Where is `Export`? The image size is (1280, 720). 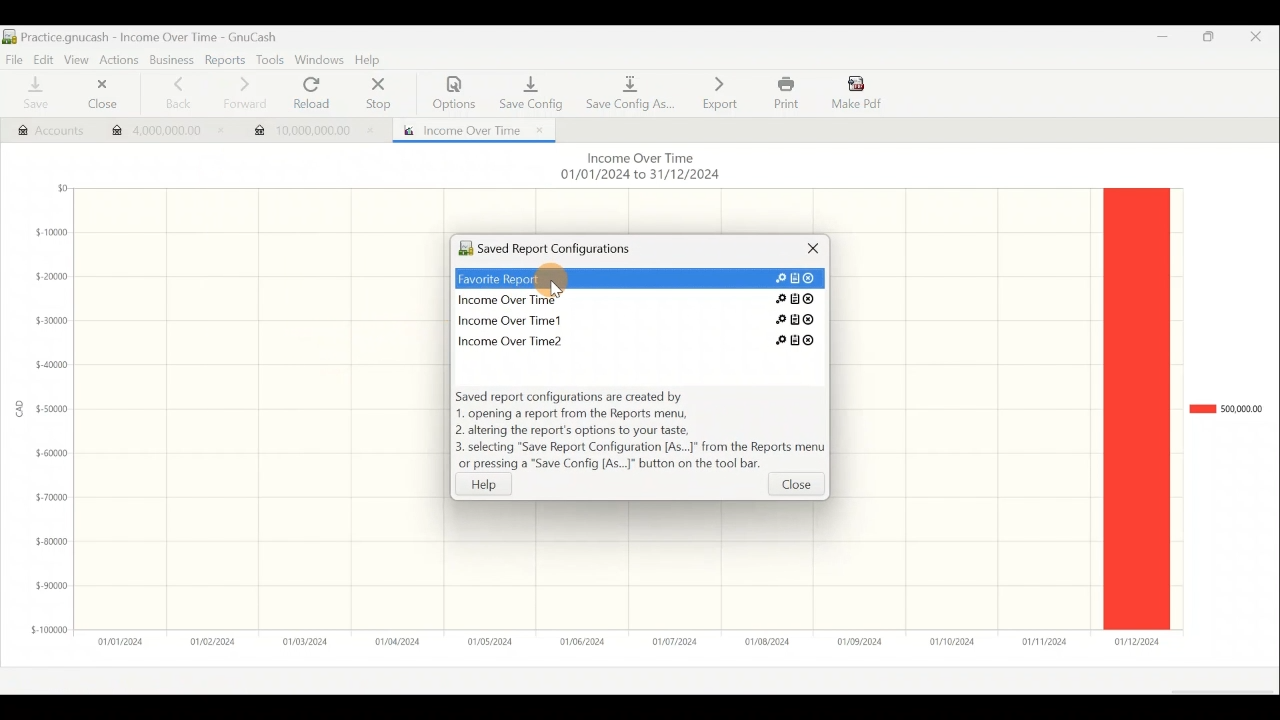 Export is located at coordinates (720, 92).